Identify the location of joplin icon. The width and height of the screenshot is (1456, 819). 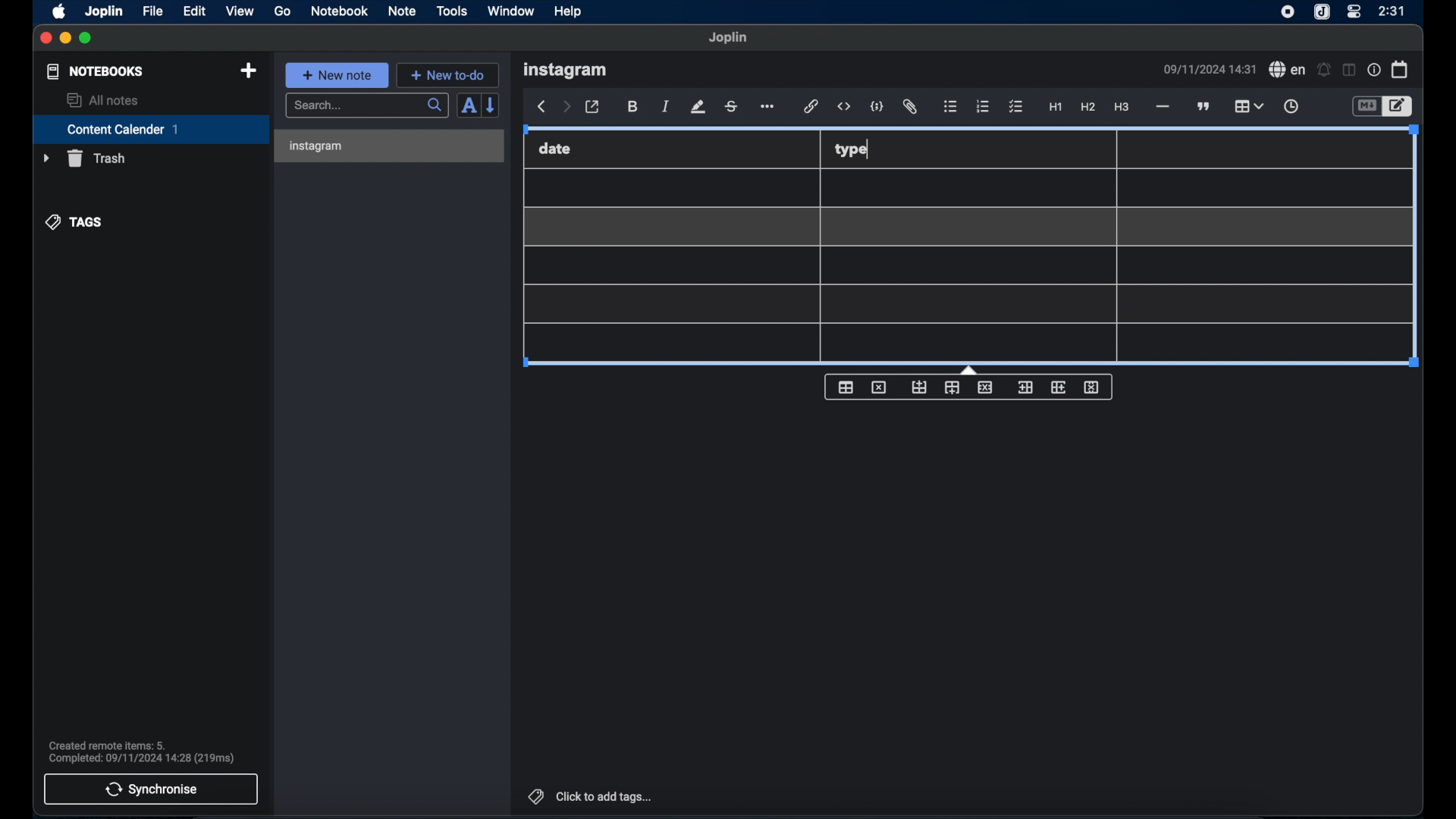
(1321, 12).